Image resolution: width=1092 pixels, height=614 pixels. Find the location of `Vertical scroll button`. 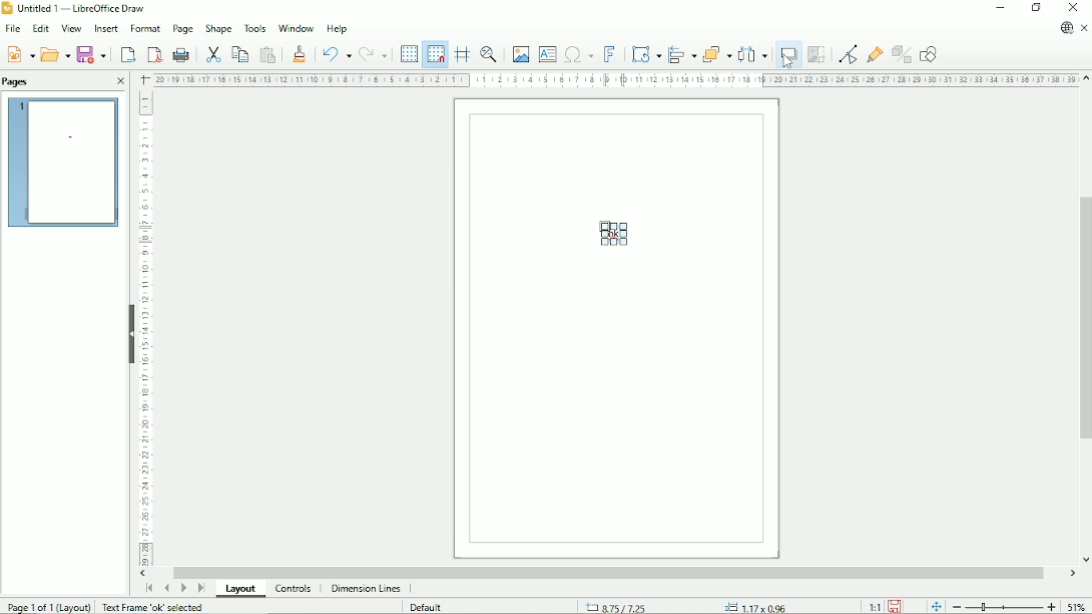

Vertical scroll button is located at coordinates (1084, 560).